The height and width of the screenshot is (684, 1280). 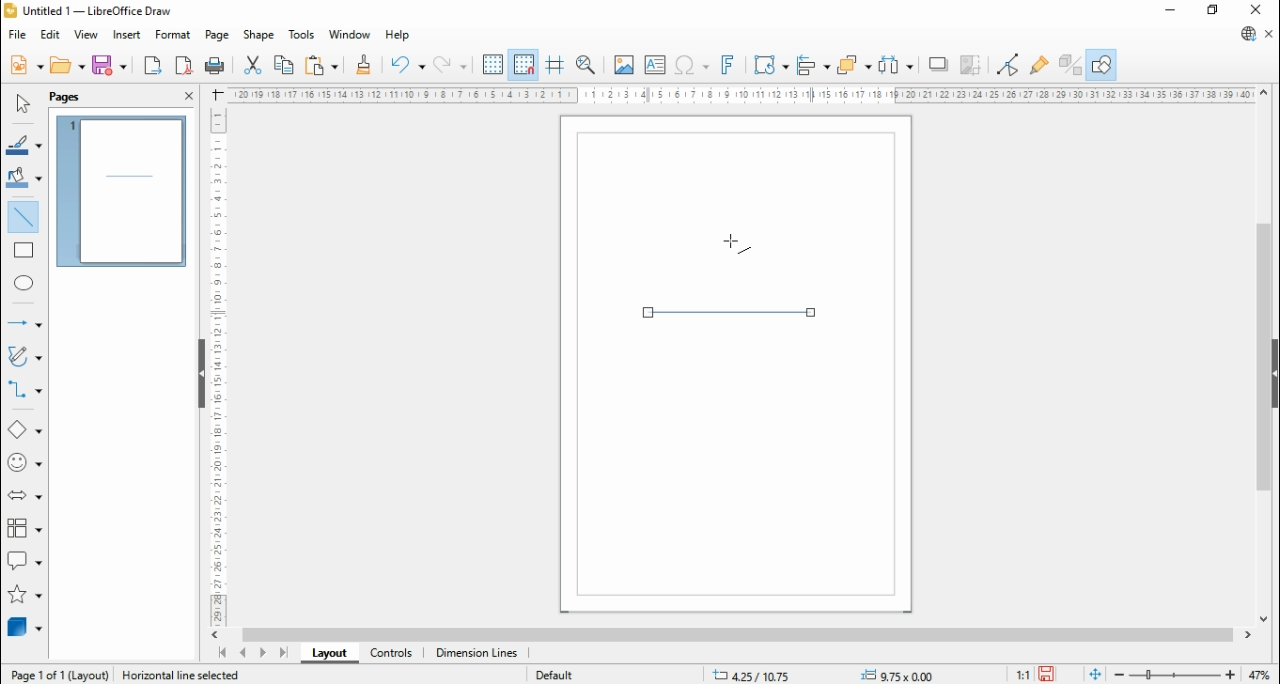 What do you see at coordinates (940, 64) in the screenshot?
I see `shadow` at bounding box center [940, 64].